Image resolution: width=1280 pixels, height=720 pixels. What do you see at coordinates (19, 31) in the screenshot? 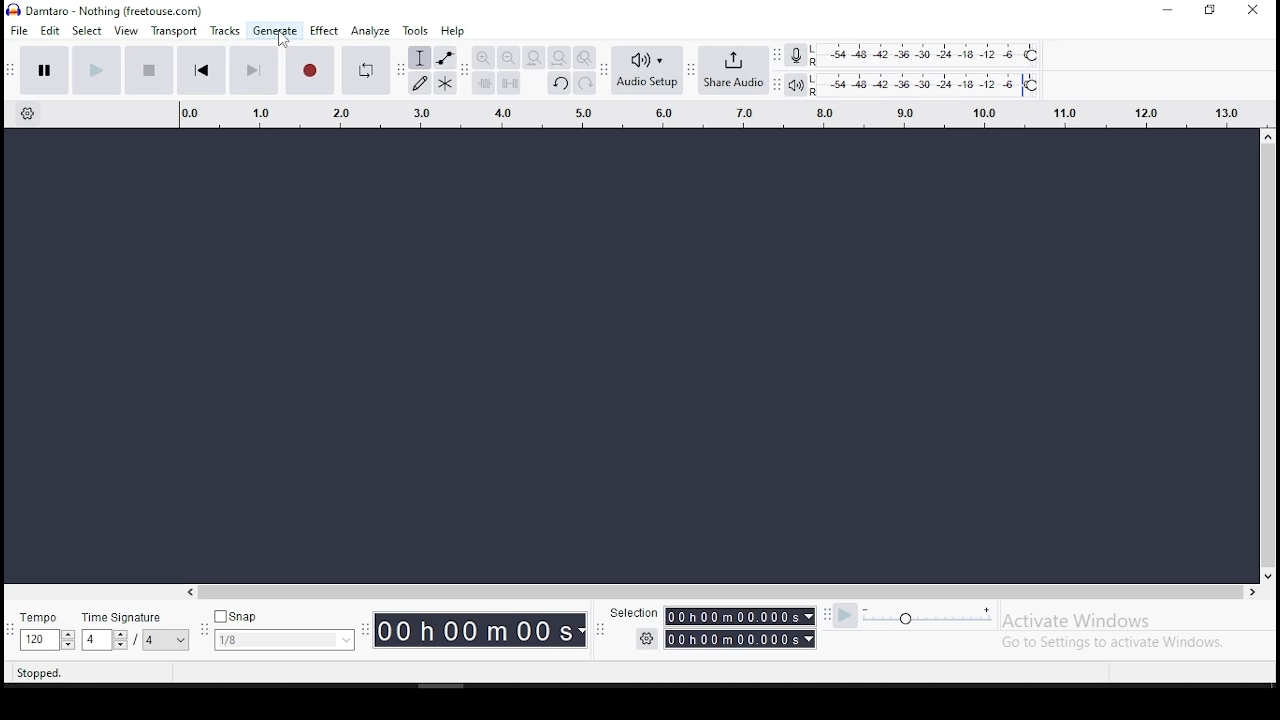
I see `file` at bounding box center [19, 31].